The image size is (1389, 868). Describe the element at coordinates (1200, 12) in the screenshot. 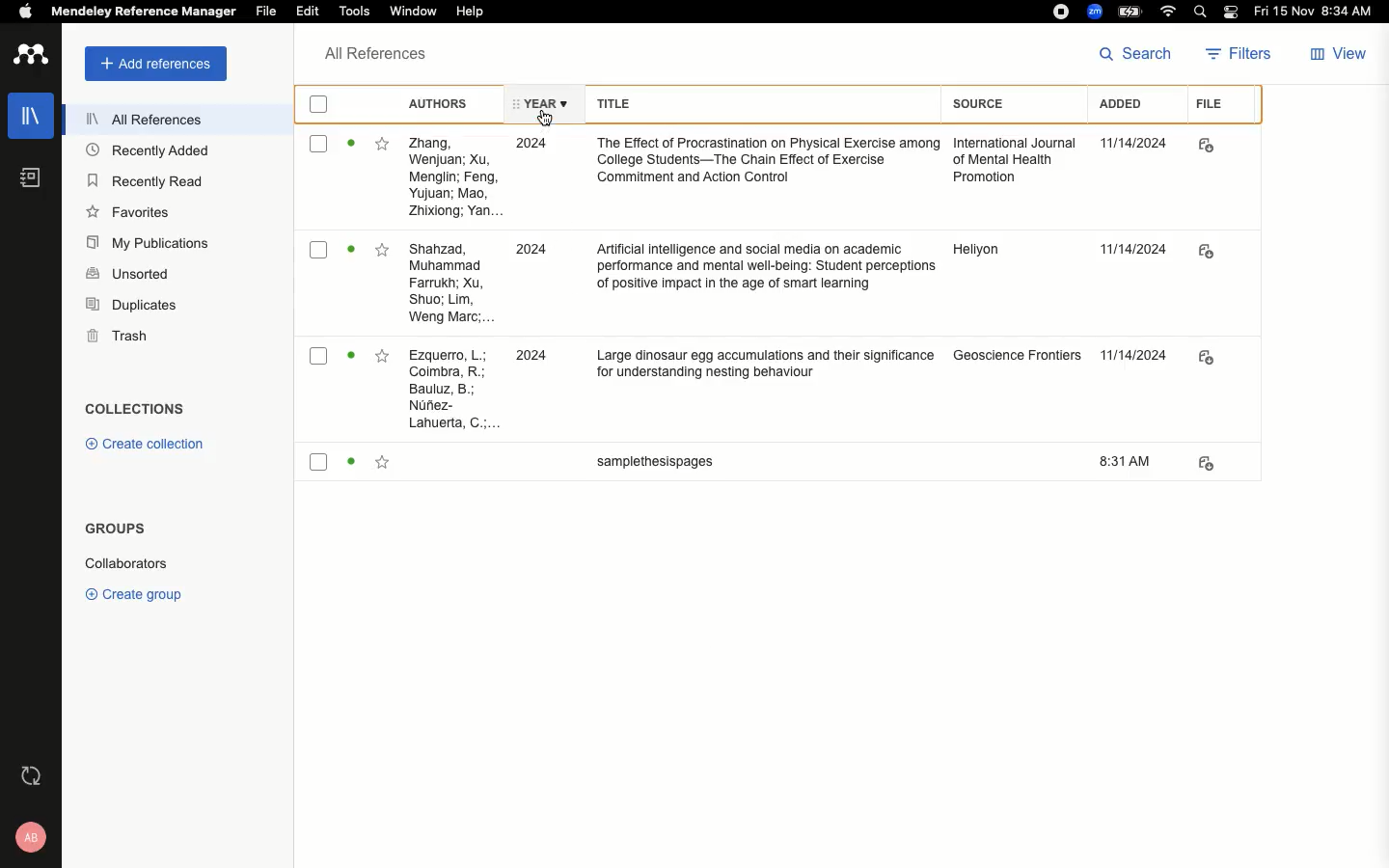

I see `Search` at that location.